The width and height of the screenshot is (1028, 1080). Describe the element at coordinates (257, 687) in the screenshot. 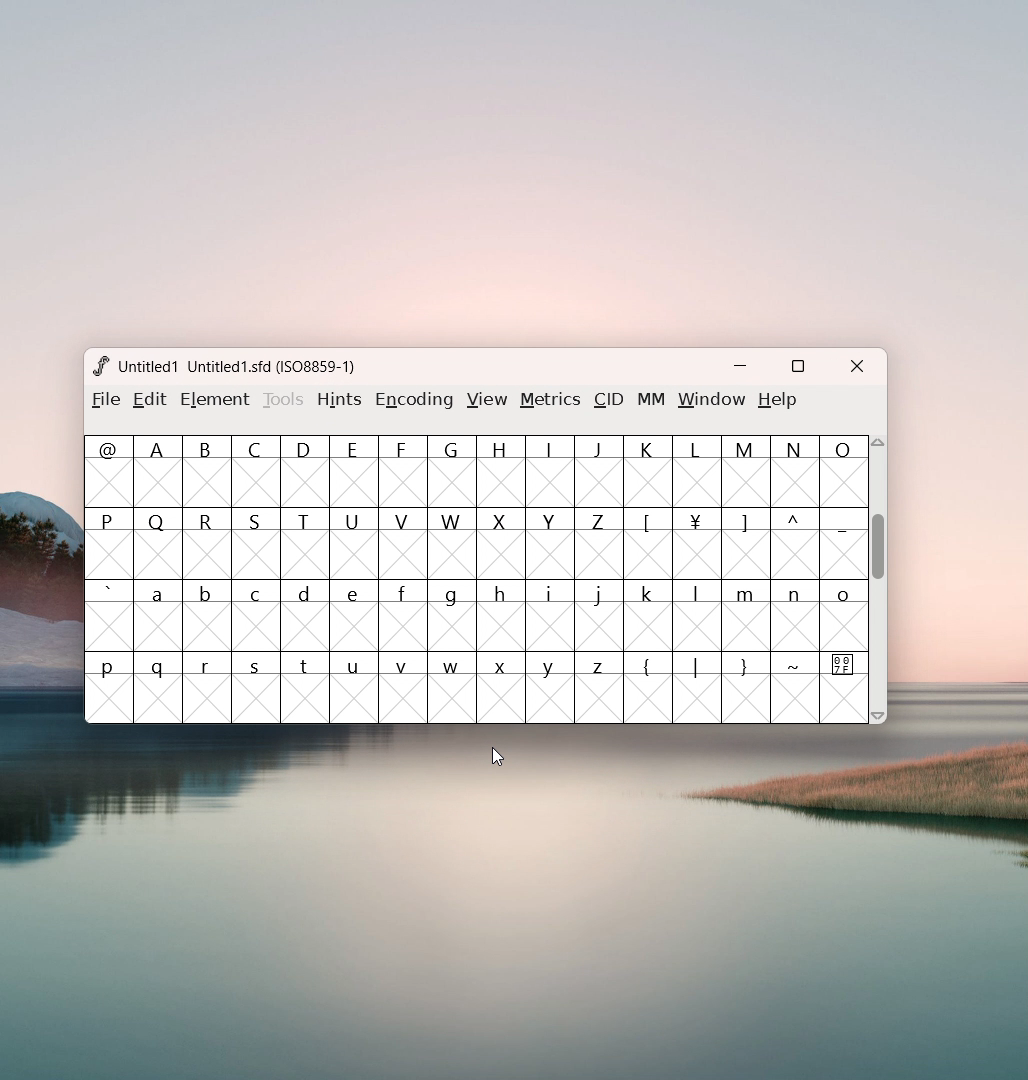

I see `s` at that location.